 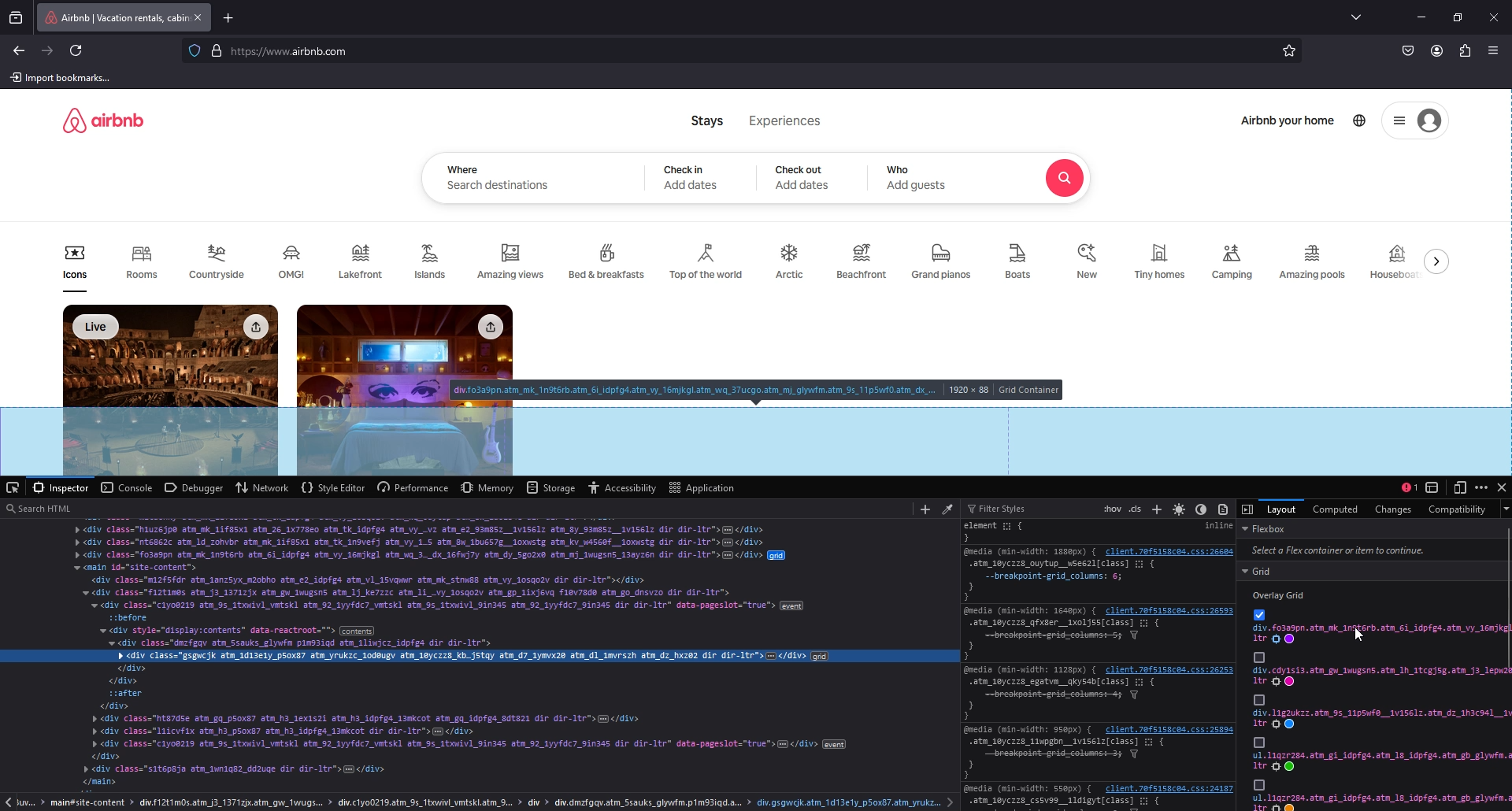 I want to click on new, so click(x=1089, y=261).